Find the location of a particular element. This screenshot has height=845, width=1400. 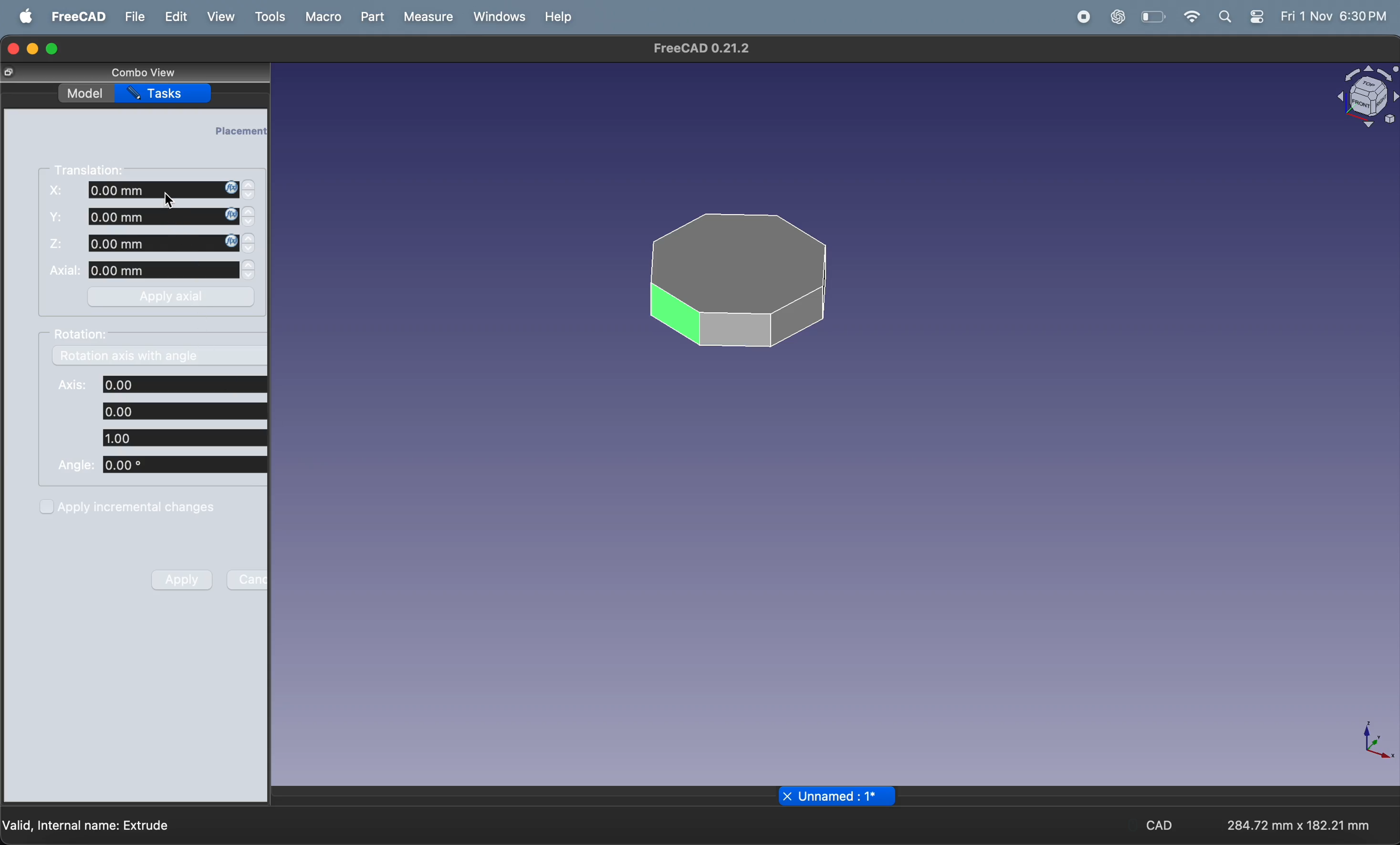

freecad is located at coordinates (77, 16).